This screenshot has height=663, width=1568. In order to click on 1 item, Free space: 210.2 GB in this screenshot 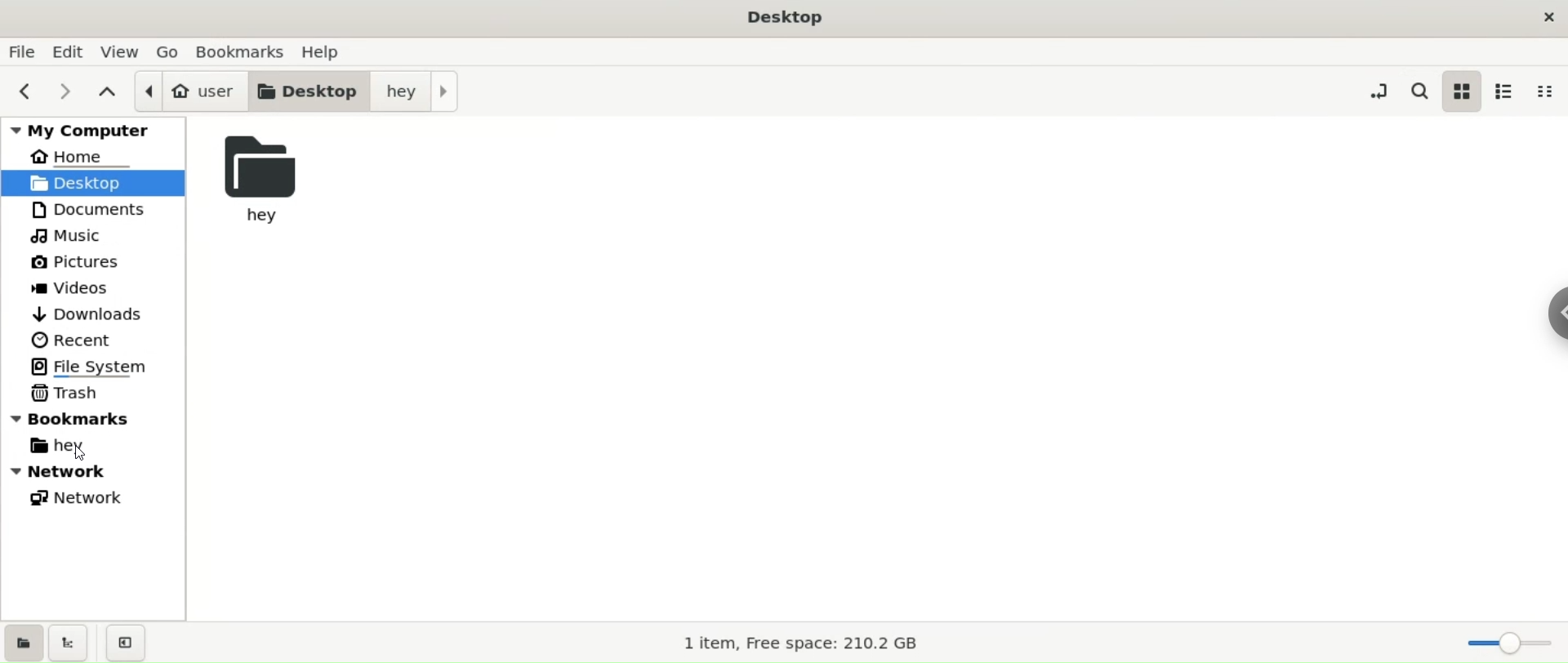, I will do `click(814, 640)`.